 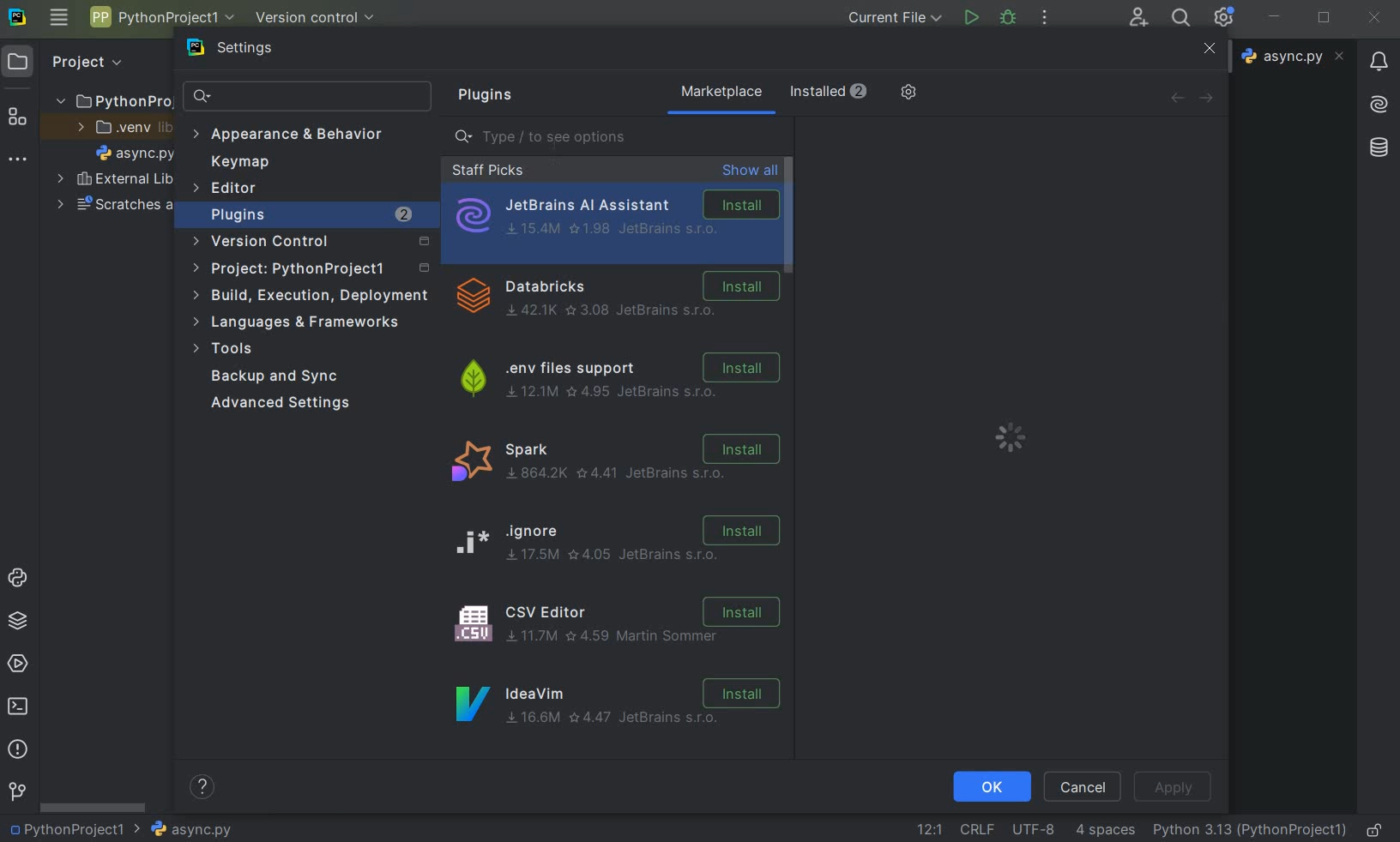 I want to click on services, so click(x=17, y=663).